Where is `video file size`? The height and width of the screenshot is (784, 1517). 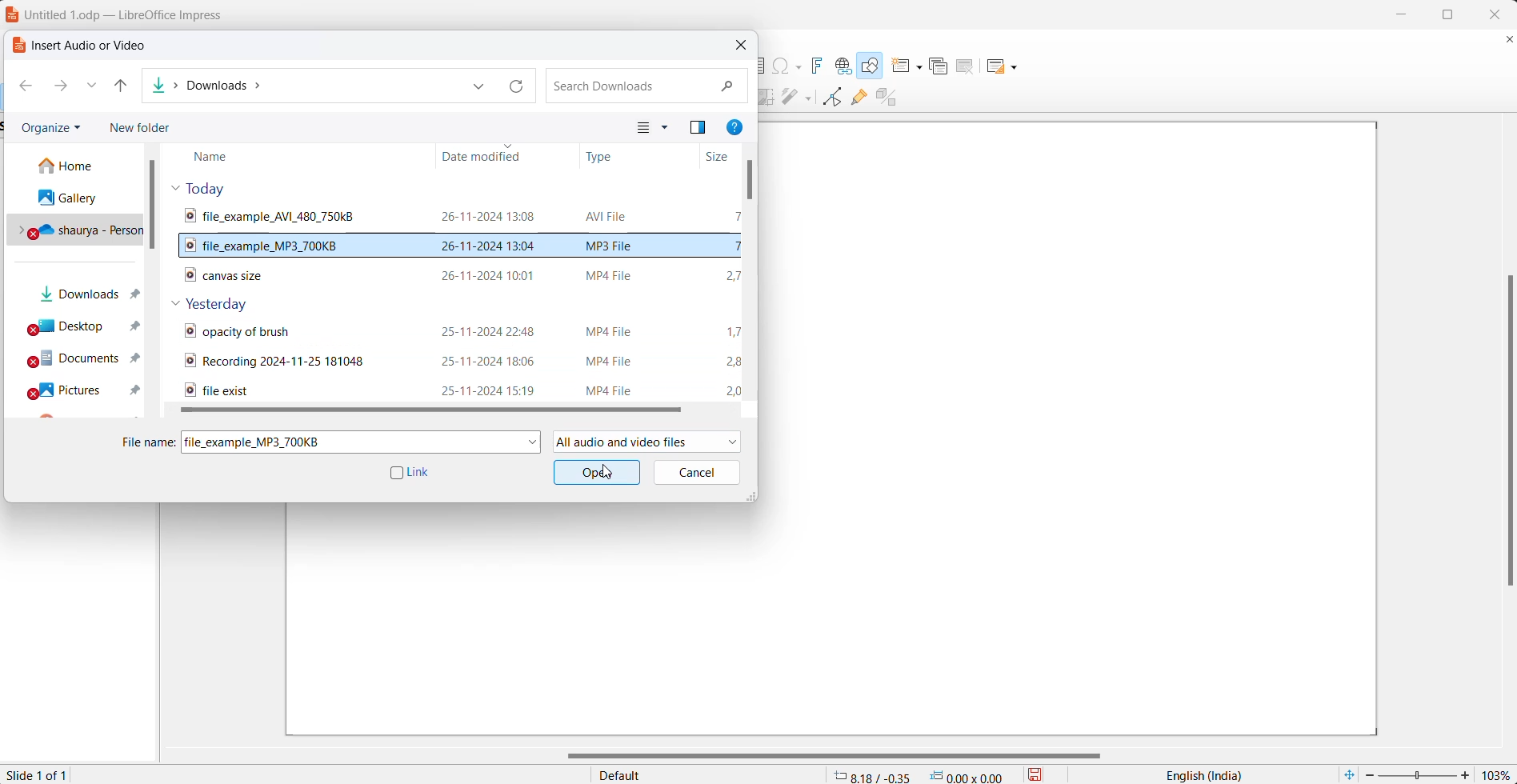
video file size is located at coordinates (741, 216).